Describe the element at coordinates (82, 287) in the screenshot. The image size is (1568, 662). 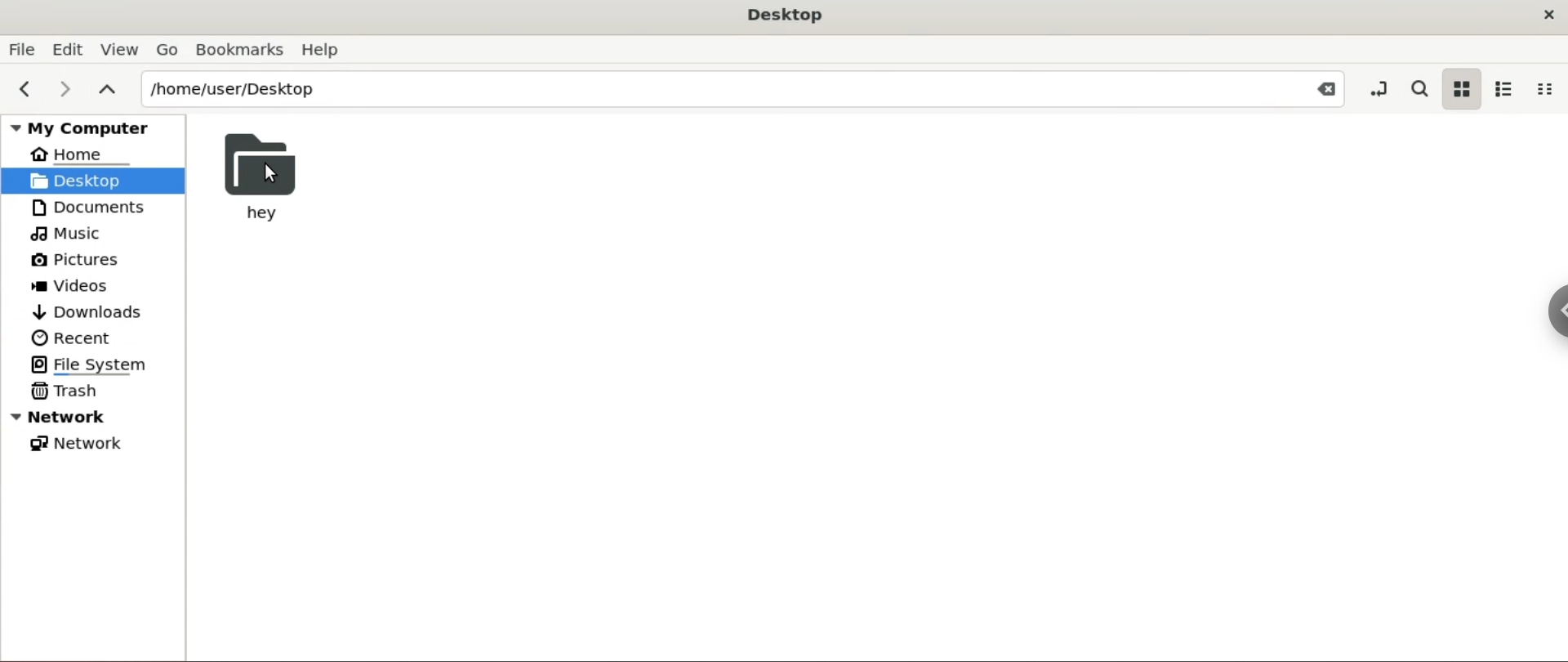
I see `Videos` at that location.